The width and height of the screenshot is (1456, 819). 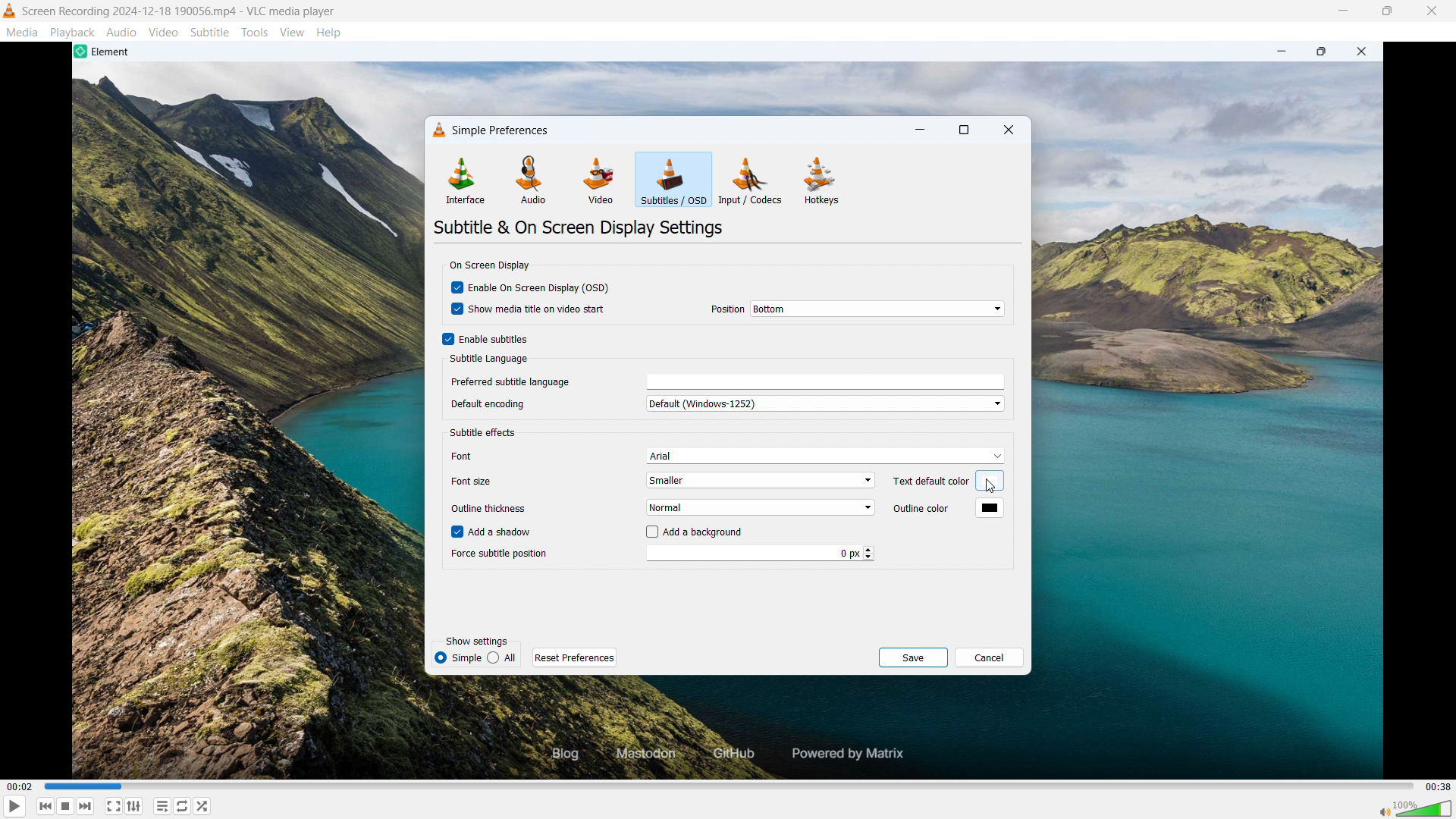 I want to click on Stop playing , so click(x=46, y=806).